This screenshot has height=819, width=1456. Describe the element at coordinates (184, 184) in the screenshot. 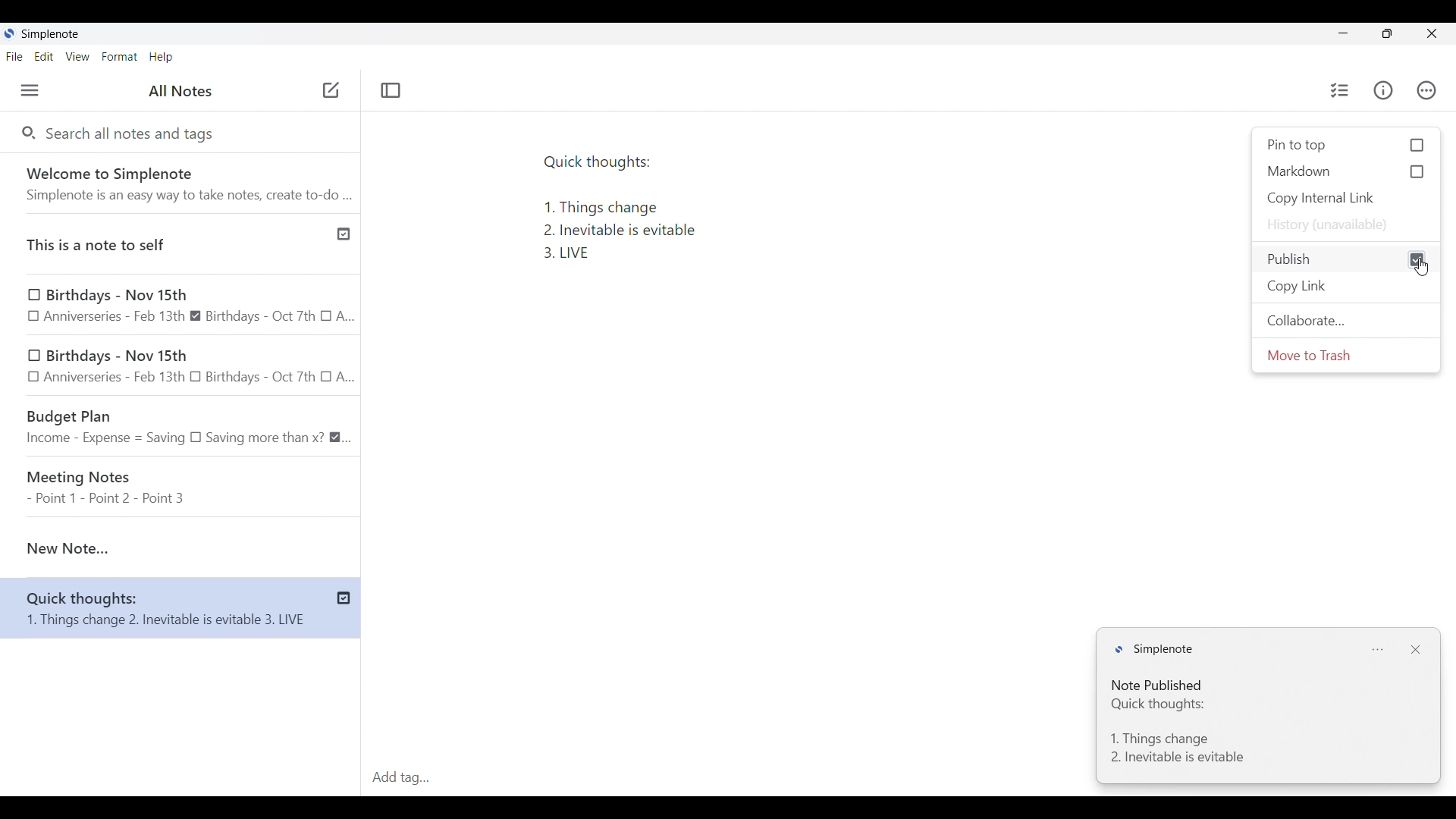

I see `Welcome note from software ` at that location.